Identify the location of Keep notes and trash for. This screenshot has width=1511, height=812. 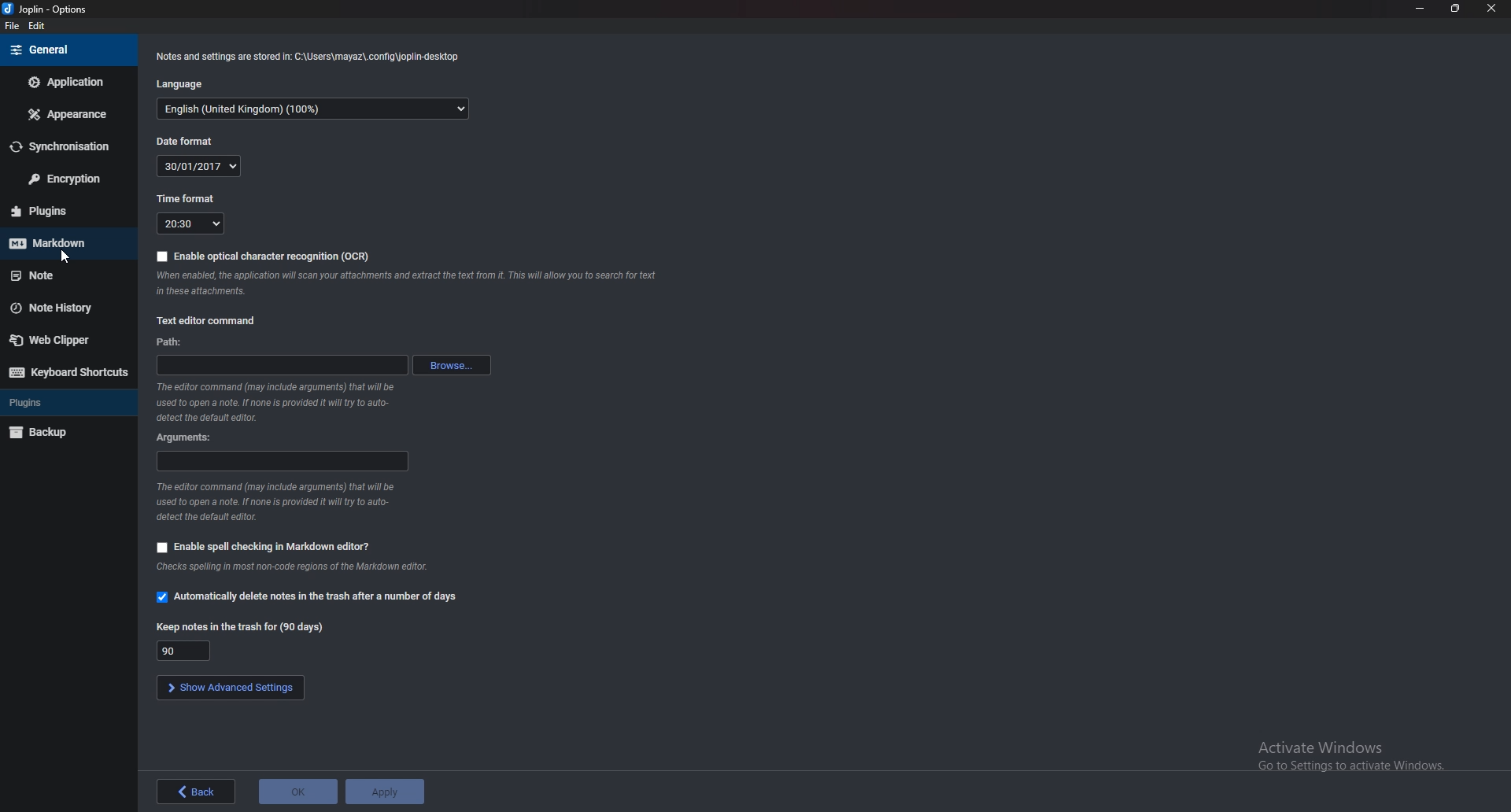
(238, 627).